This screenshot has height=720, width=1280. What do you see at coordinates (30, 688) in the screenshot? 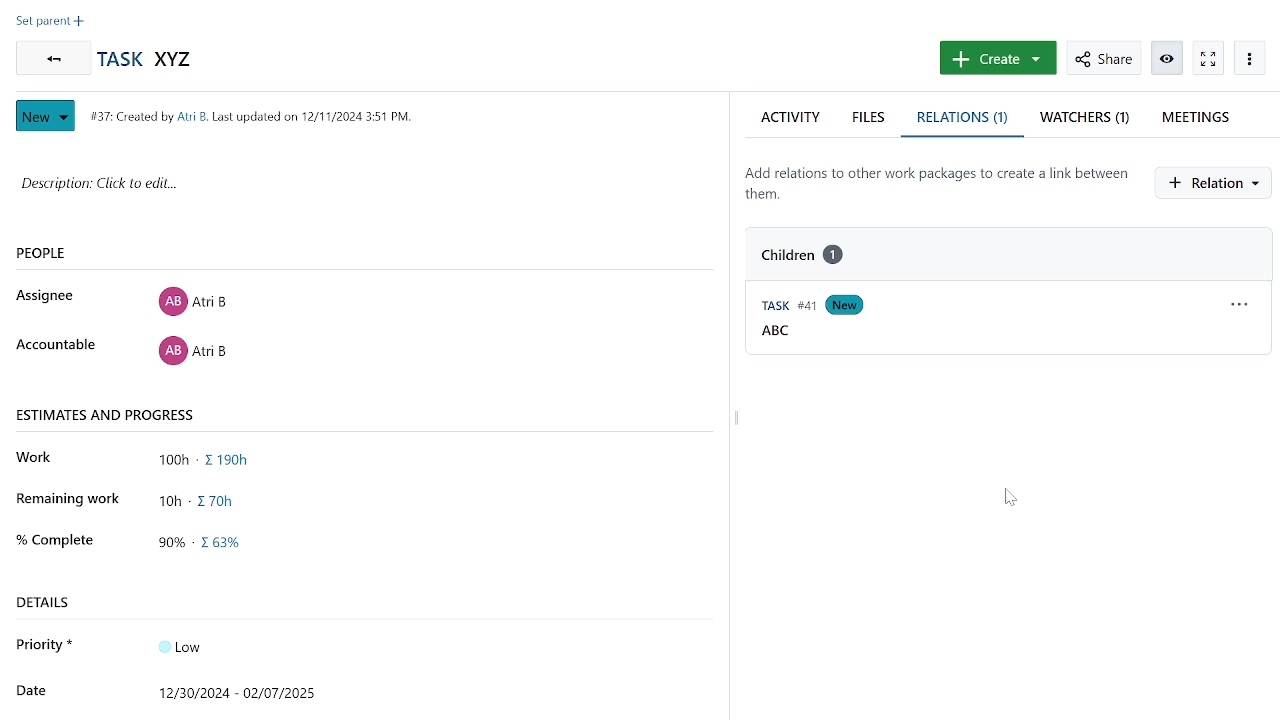
I see `date` at bounding box center [30, 688].